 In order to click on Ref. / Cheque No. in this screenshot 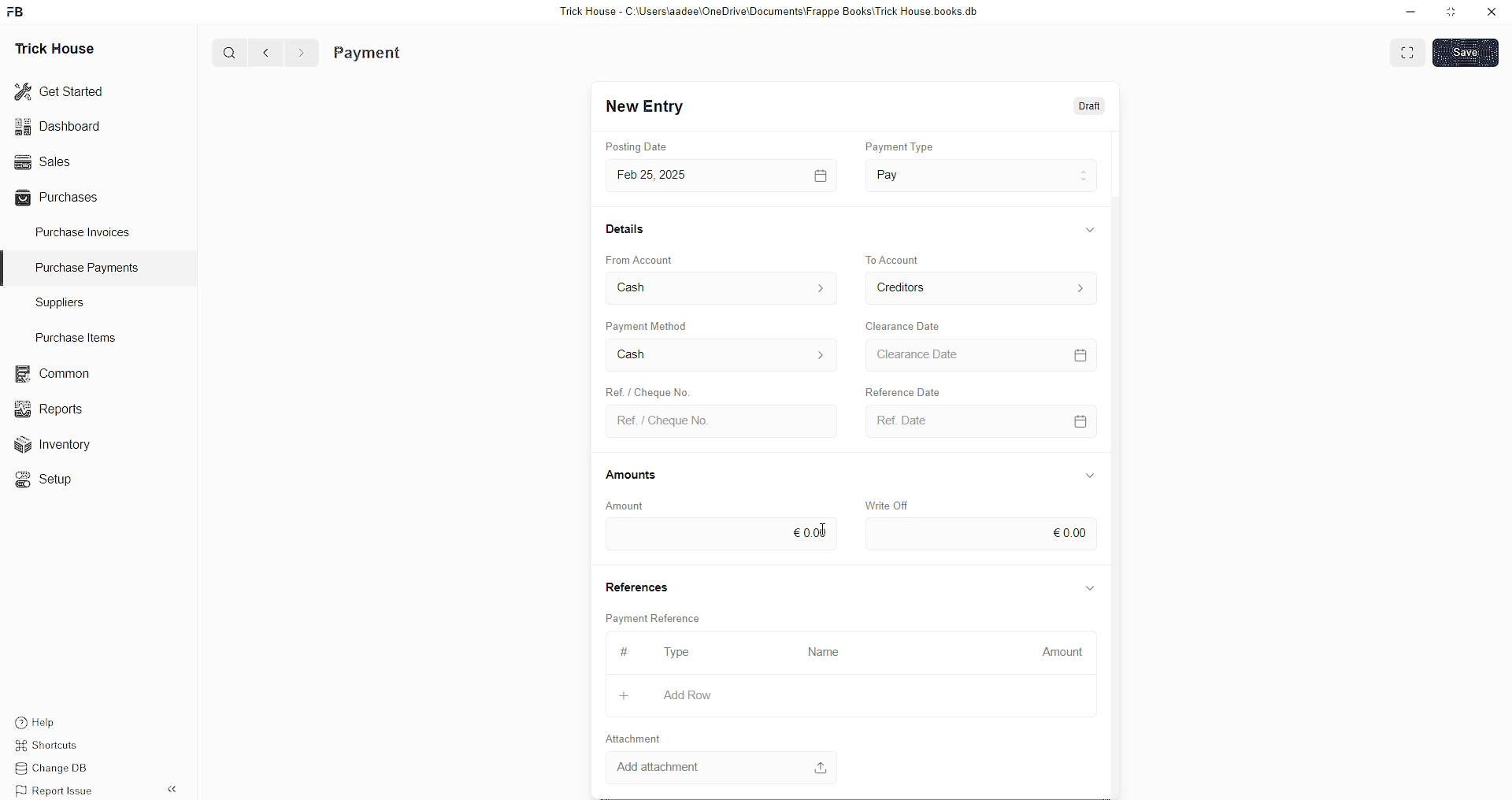, I will do `click(659, 423)`.